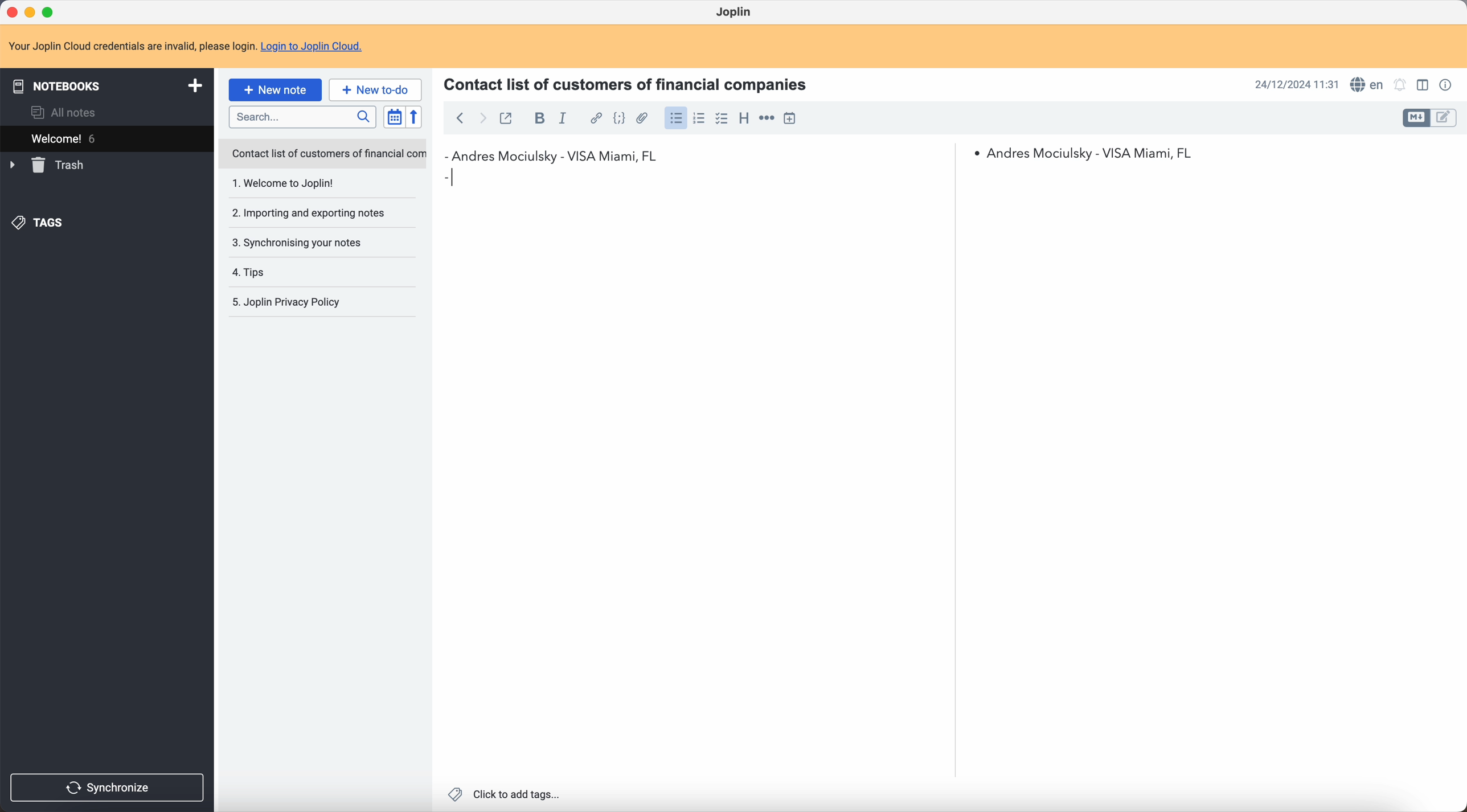 This screenshot has width=1467, height=812. I want to click on hyperlink, so click(595, 118).